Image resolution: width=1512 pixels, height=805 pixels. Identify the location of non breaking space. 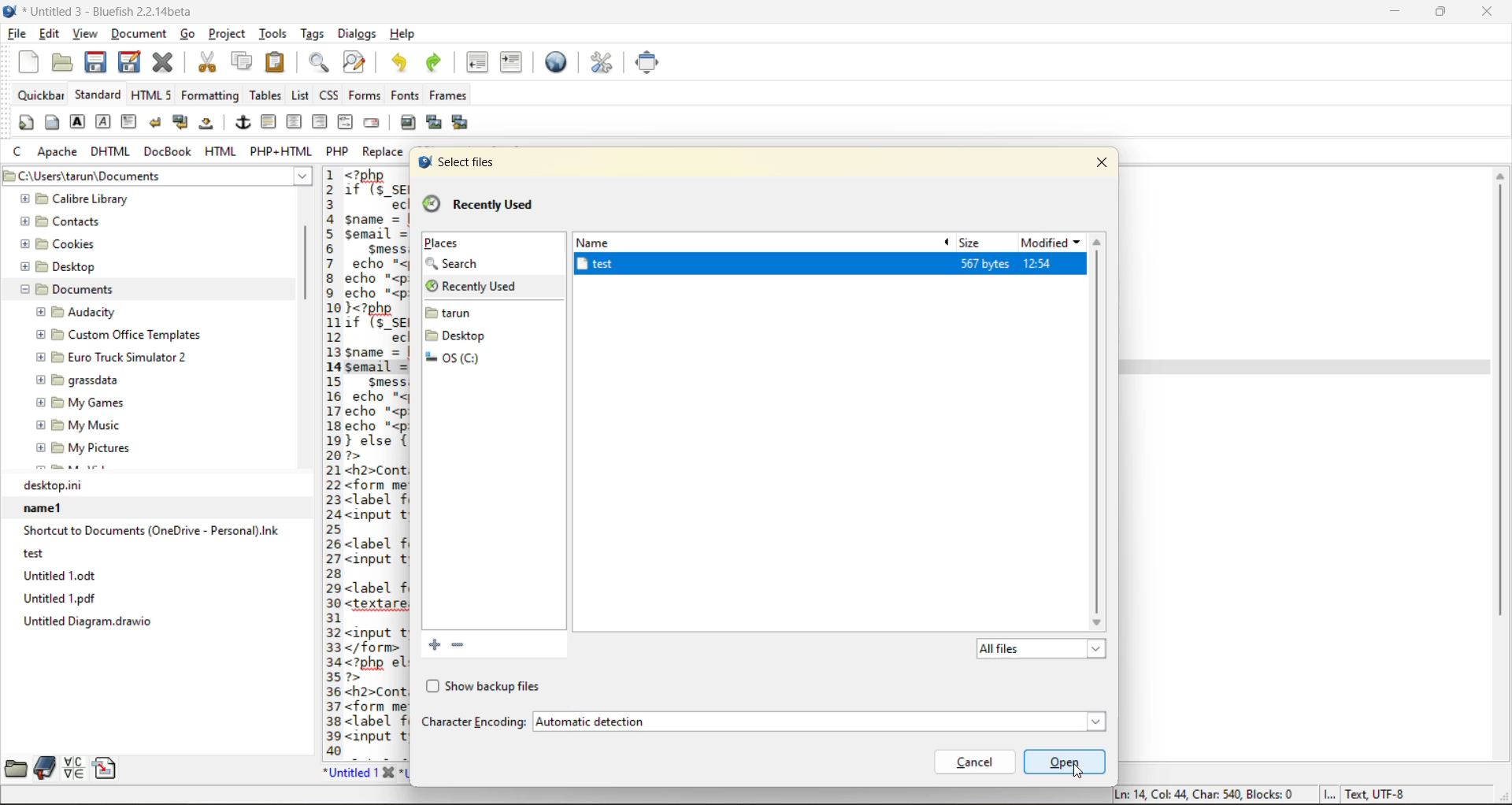
(209, 127).